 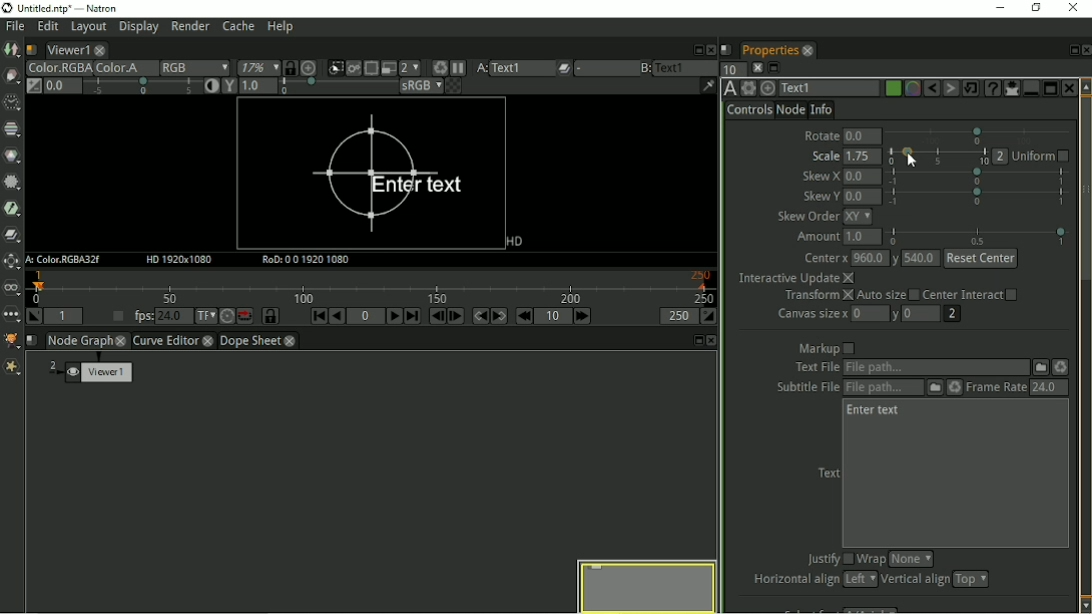 I want to click on Zoom, so click(x=259, y=67).